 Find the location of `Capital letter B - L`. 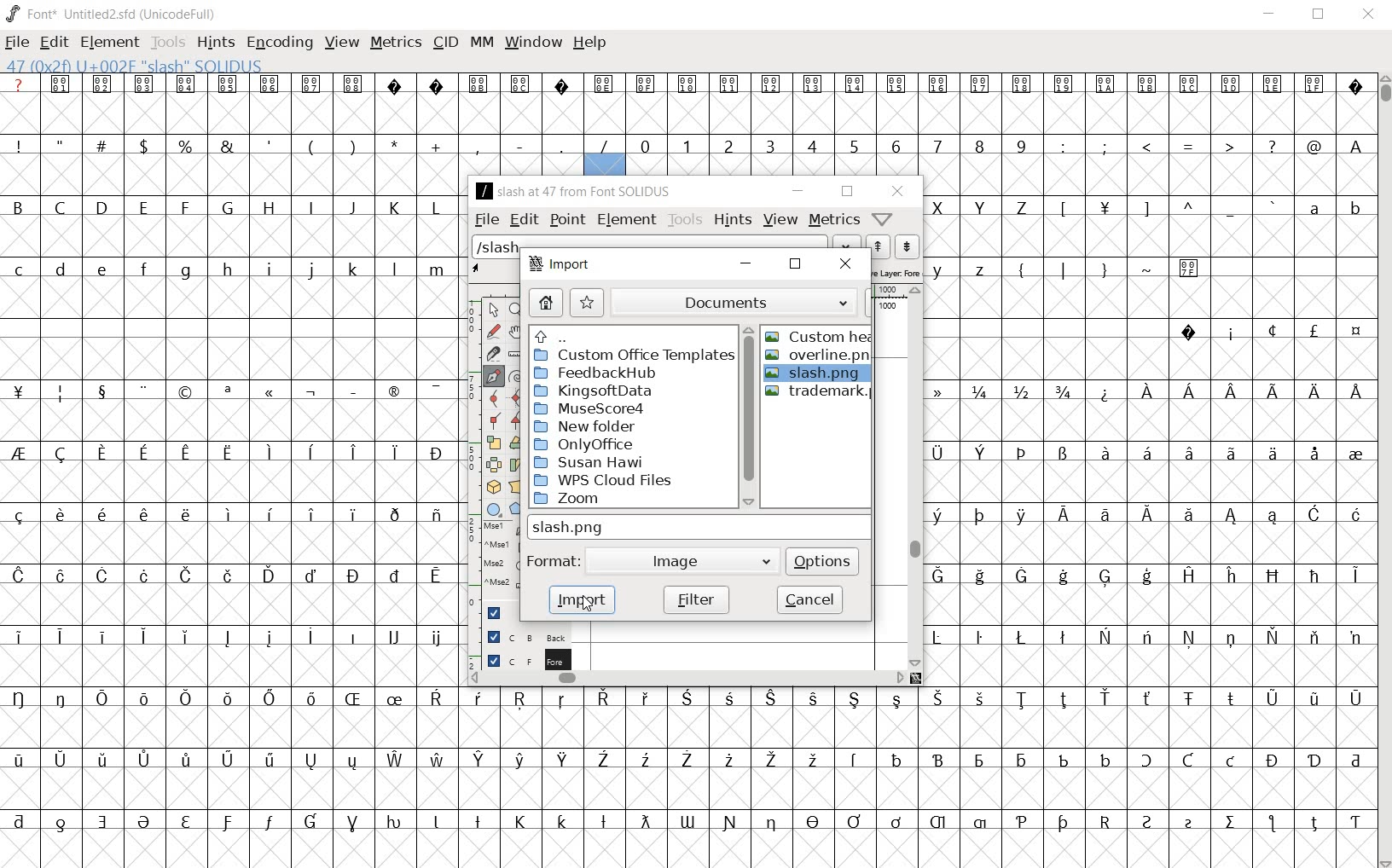

Capital letter B - L is located at coordinates (226, 208).